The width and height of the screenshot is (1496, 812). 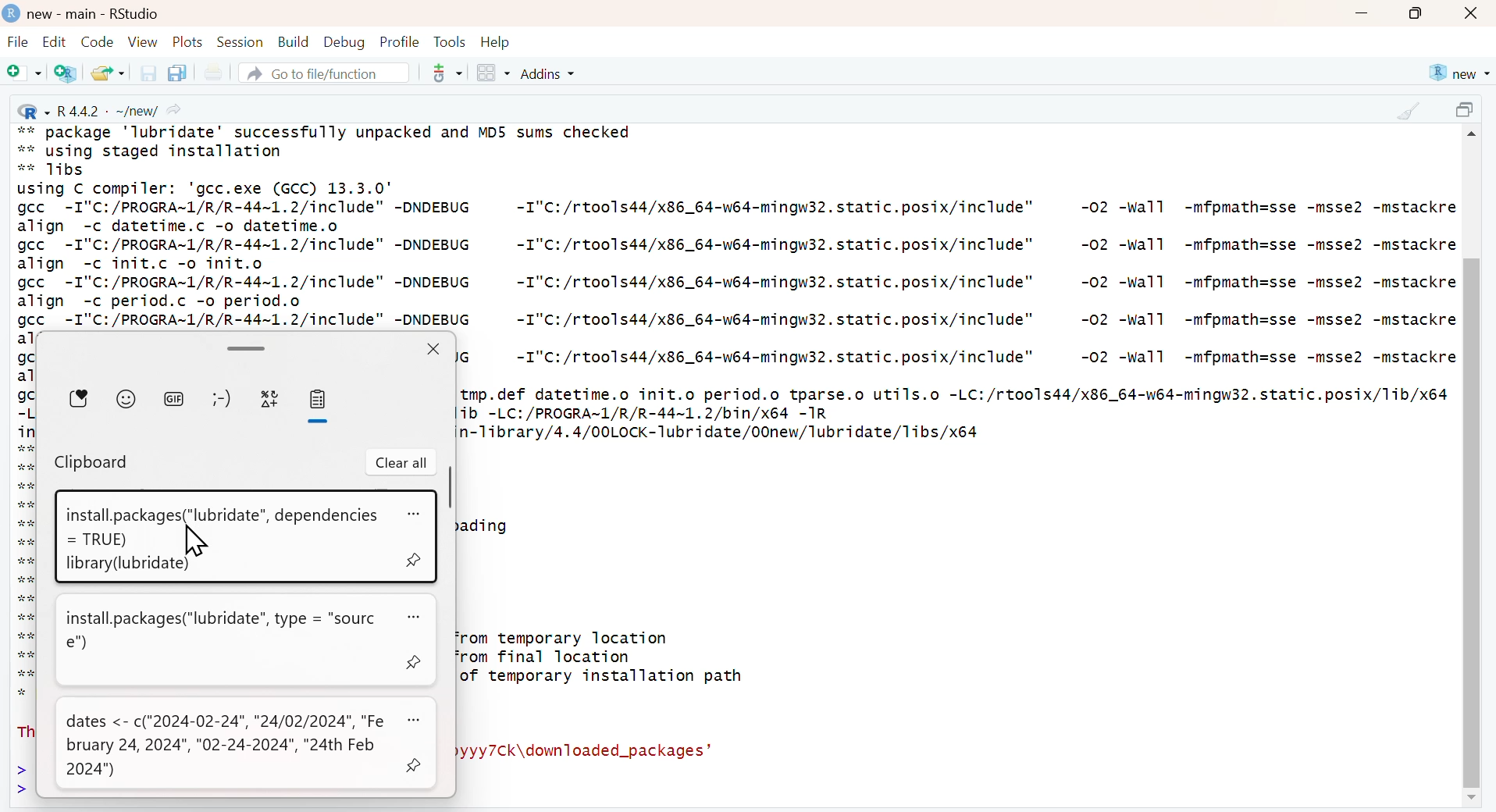 I want to click on print, so click(x=212, y=73).